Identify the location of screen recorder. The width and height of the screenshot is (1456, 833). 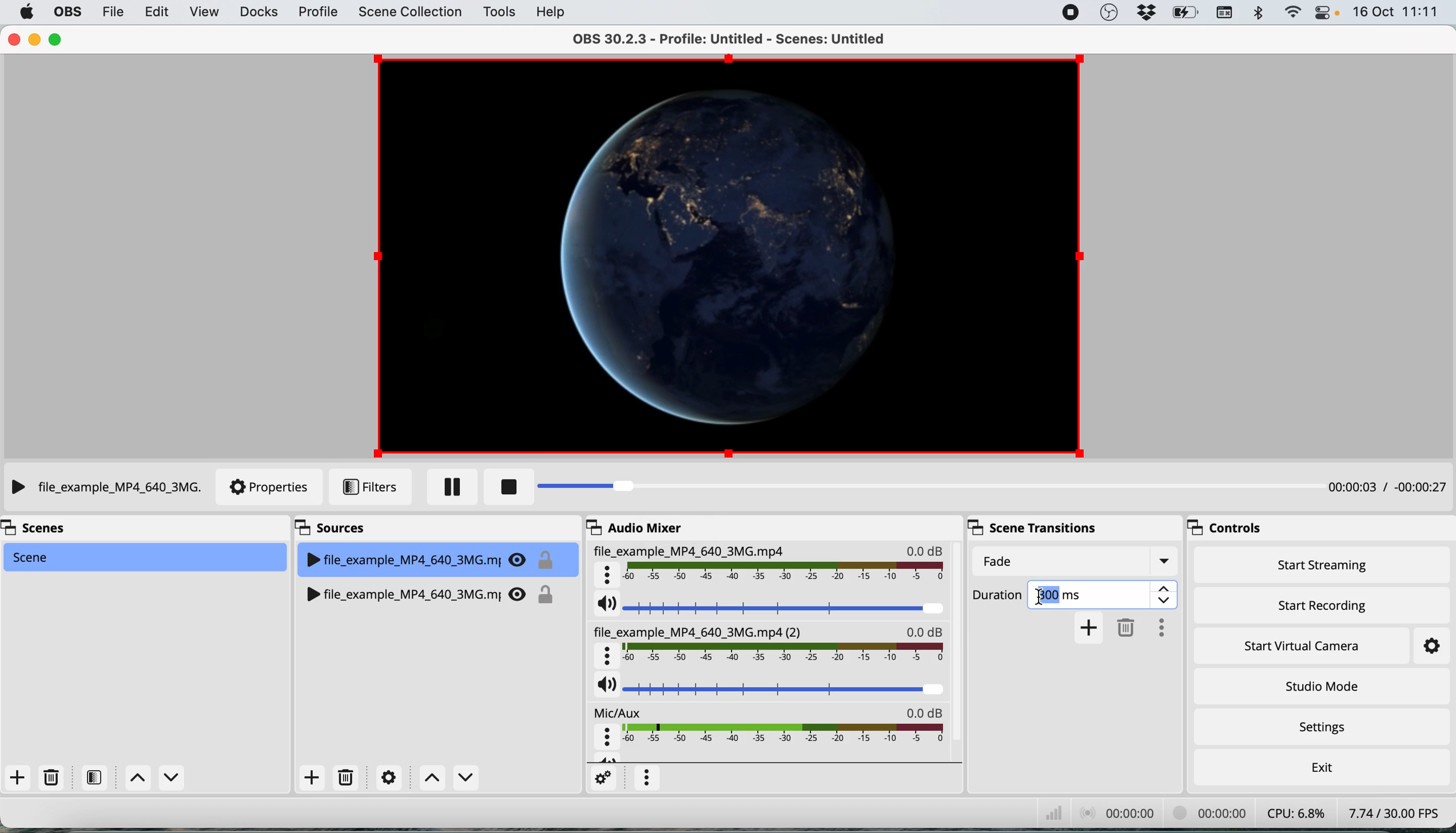
(1069, 13).